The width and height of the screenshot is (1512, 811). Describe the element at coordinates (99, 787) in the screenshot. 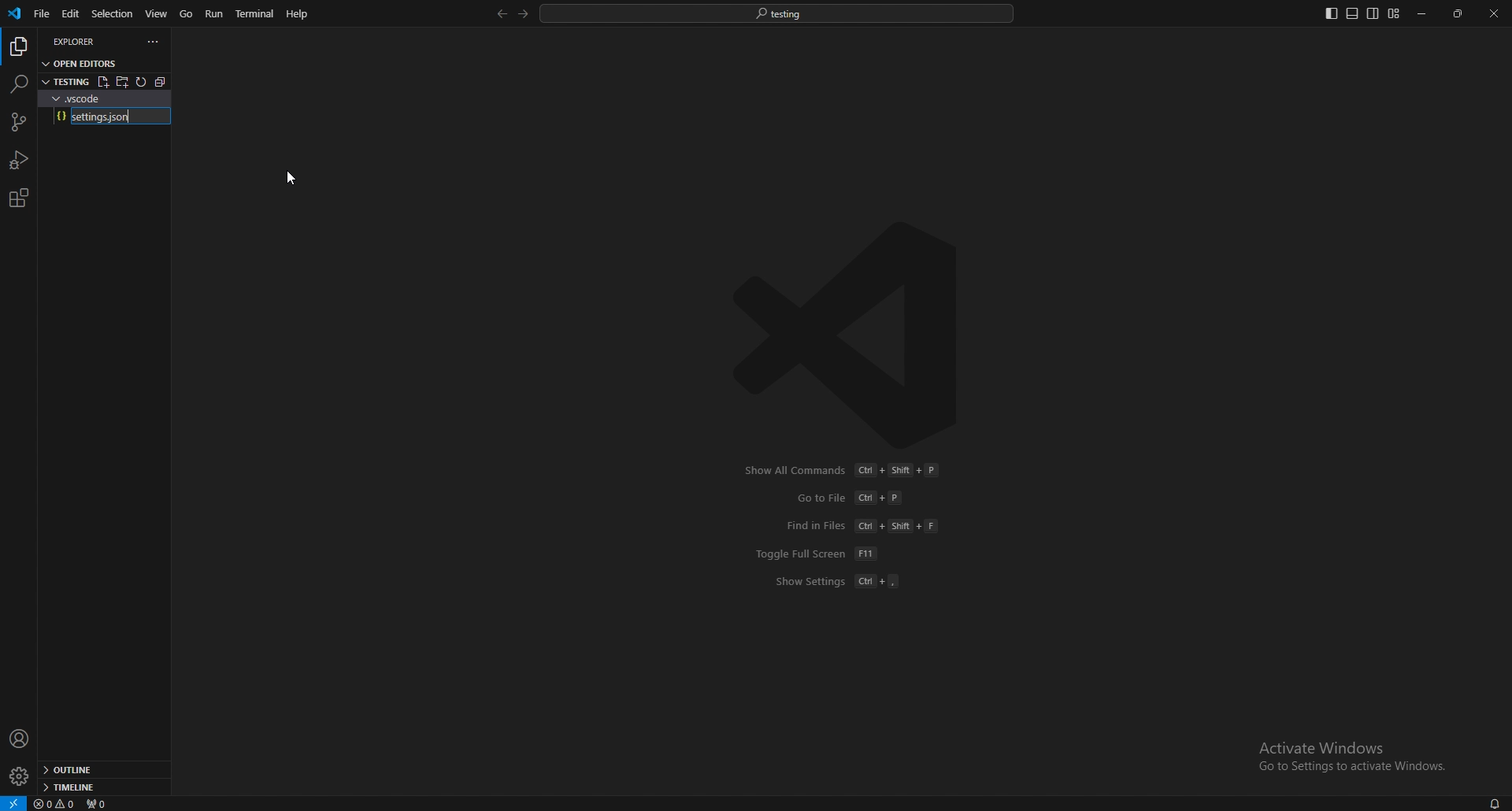

I see `timeline` at that location.